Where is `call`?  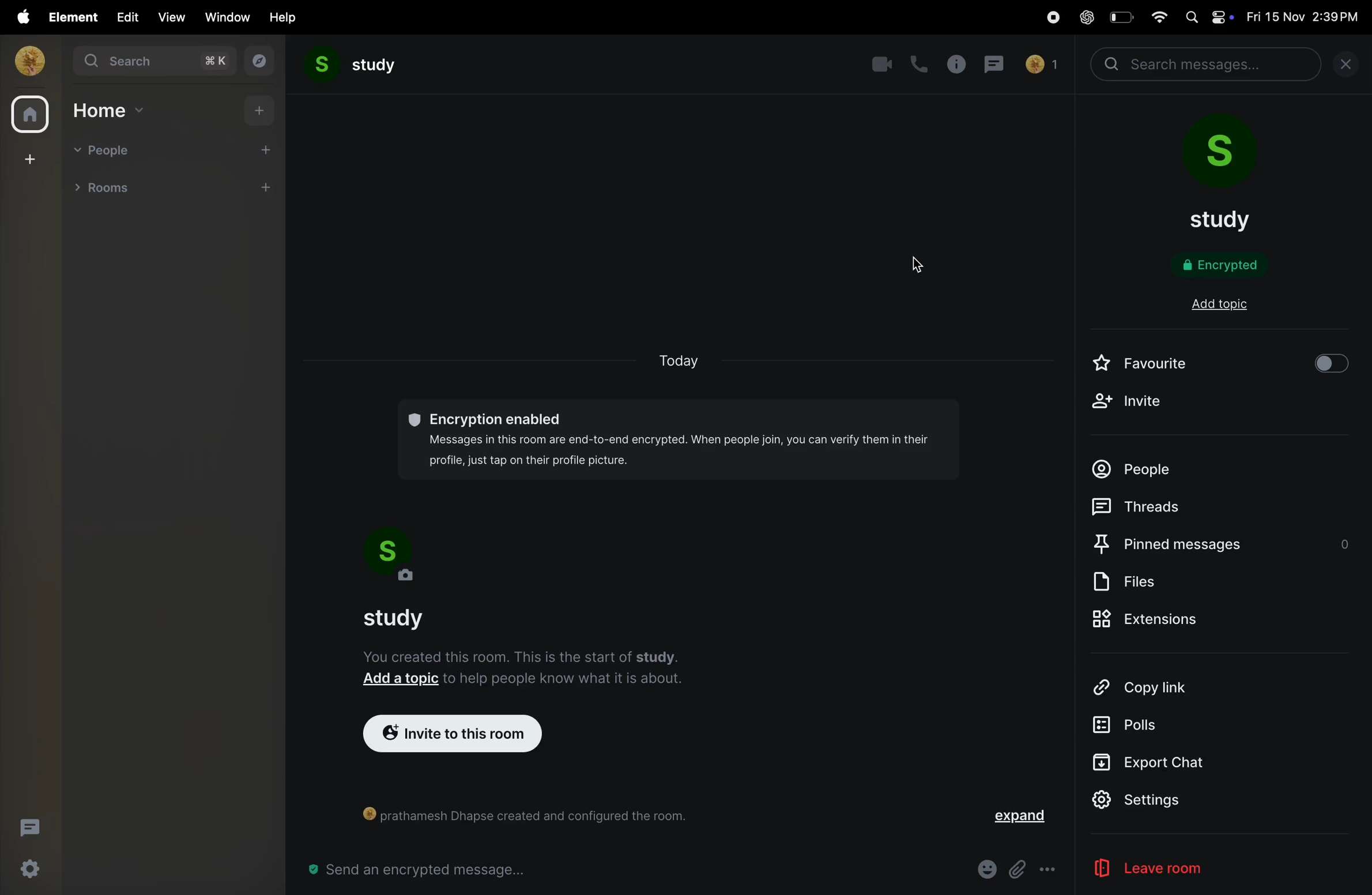 call is located at coordinates (919, 66).